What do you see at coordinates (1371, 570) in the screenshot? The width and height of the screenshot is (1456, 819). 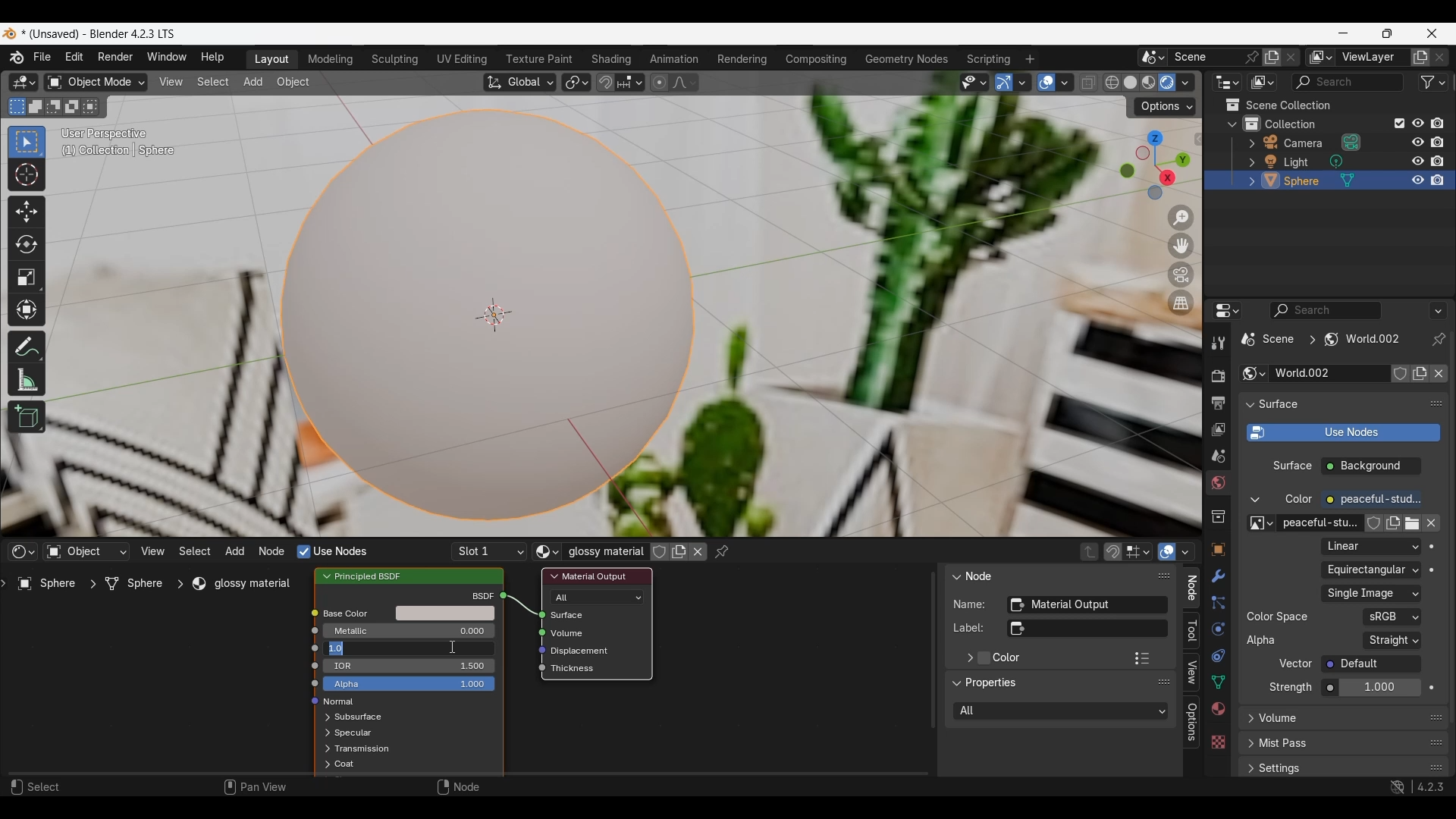 I see `Projection of the input image` at bounding box center [1371, 570].